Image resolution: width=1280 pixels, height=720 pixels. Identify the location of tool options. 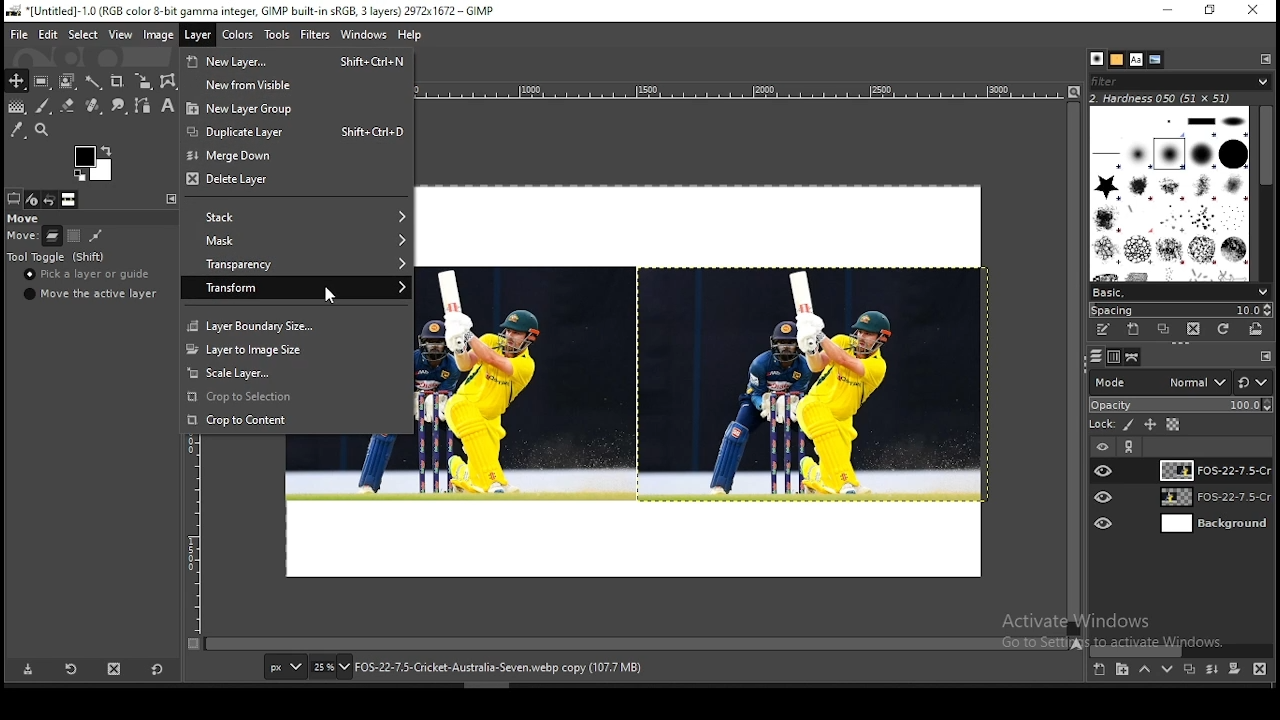
(14, 198).